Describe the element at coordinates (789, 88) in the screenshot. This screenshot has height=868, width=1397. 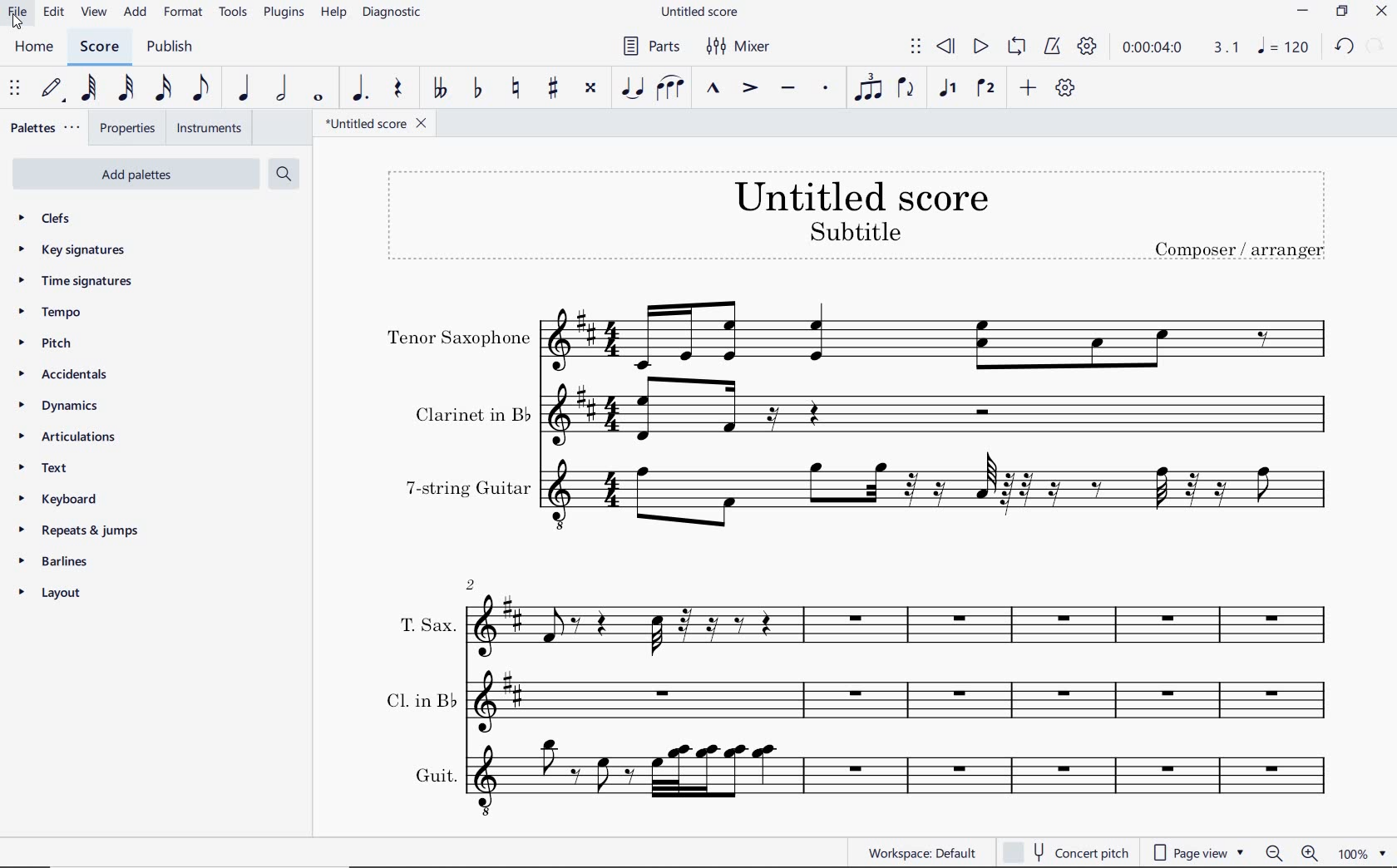
I see `TENUTO` at that location.